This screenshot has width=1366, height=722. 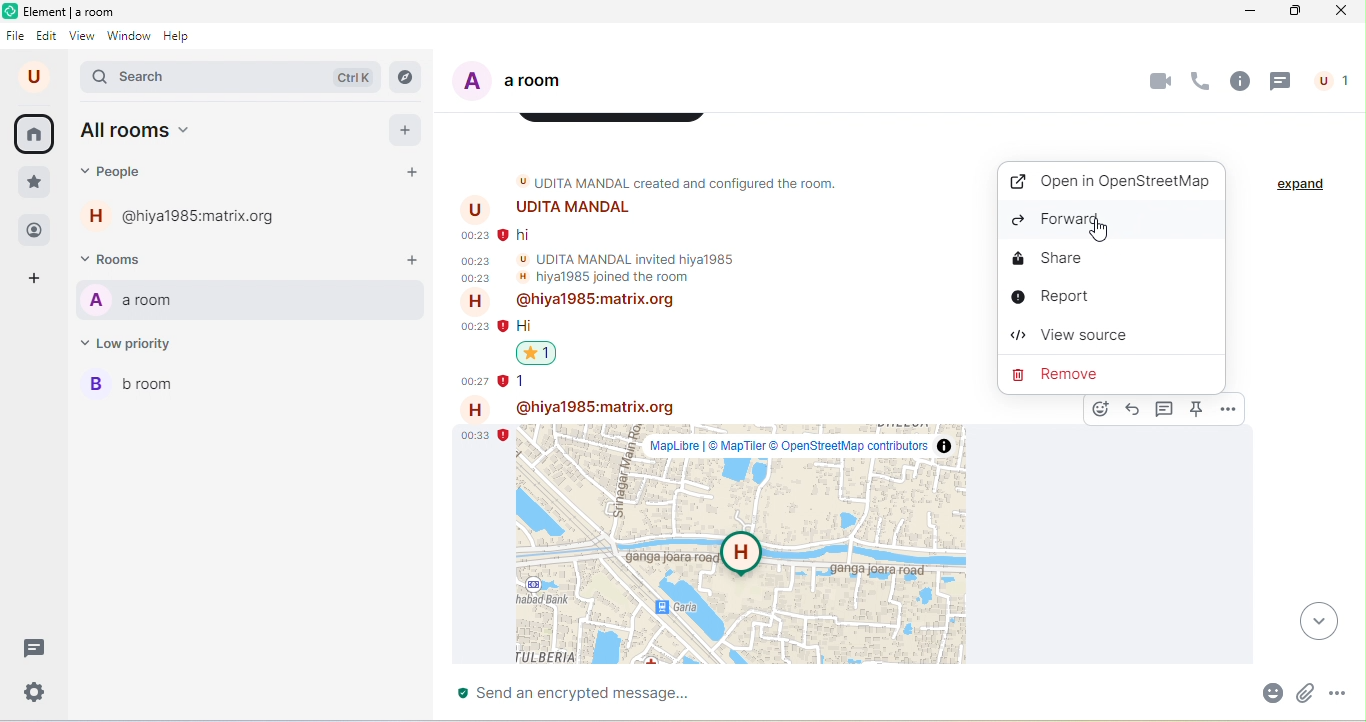 I want to click on account, so click(x=37, y=77).